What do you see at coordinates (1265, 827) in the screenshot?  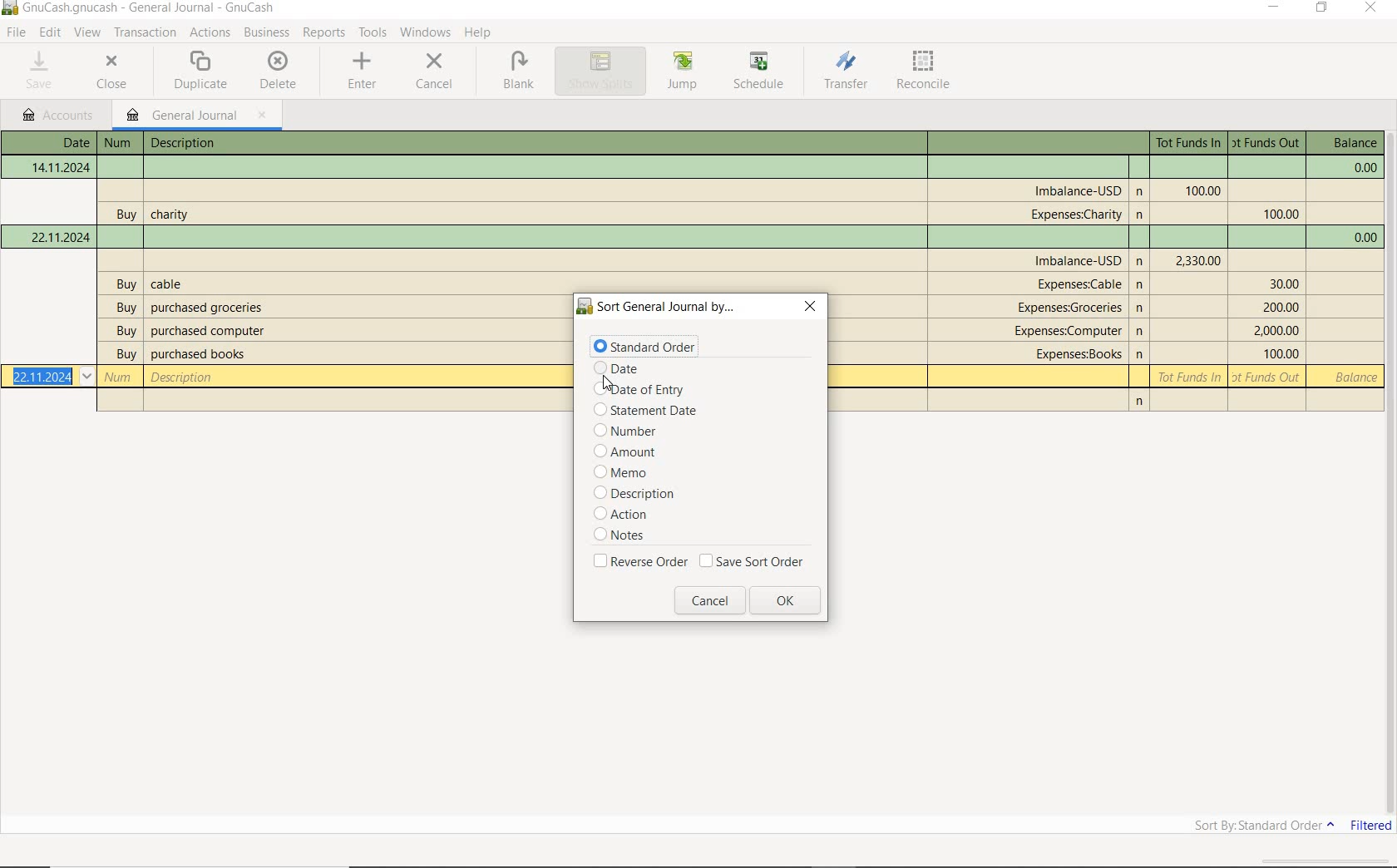 I see `SORT BY: STANDARD ORDER` at bounding box center [1265, 827].